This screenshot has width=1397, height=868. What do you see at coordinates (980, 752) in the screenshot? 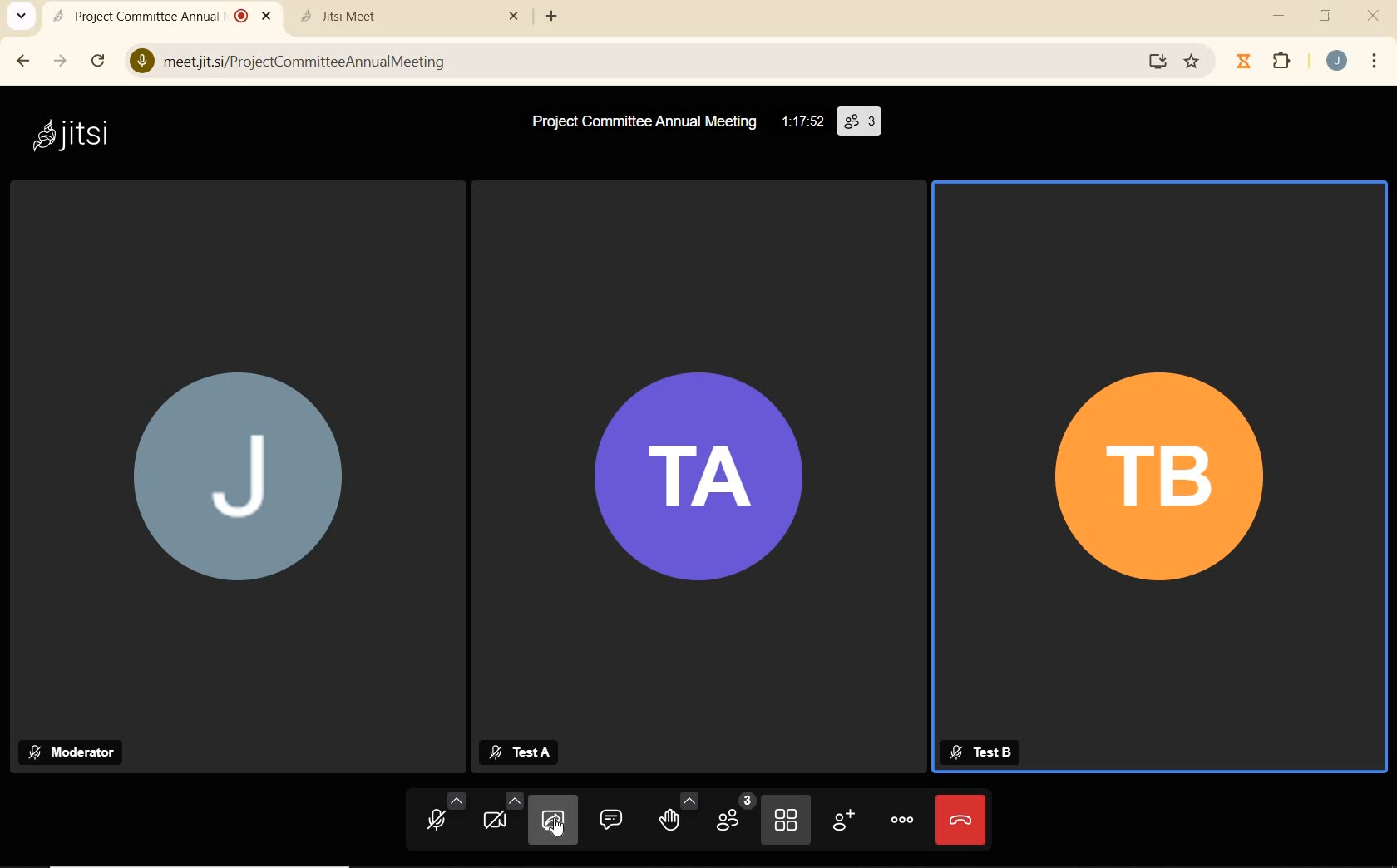
I see `Test B` at bounding box center [980, 752].